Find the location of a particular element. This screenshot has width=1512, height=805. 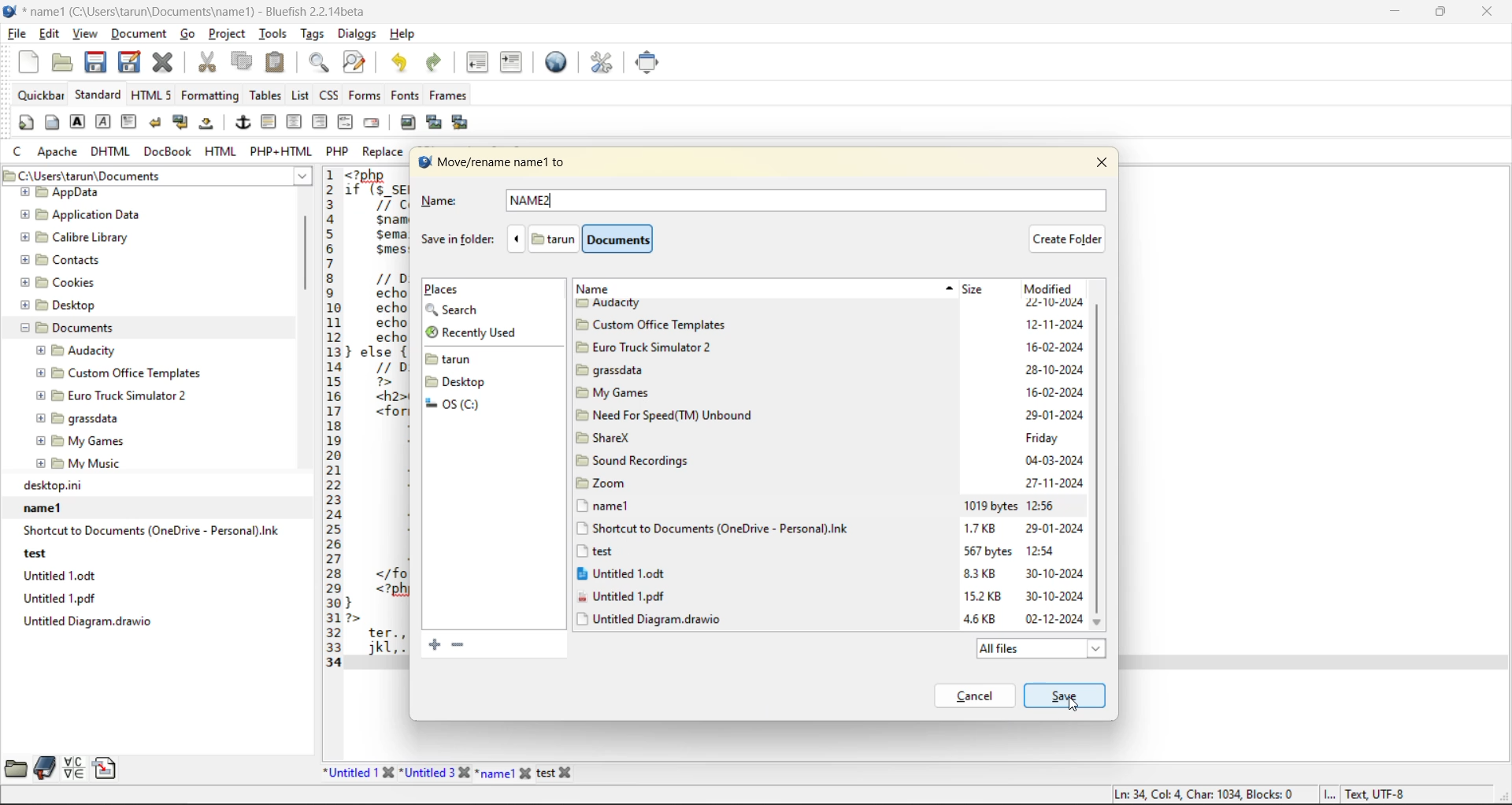

file path is located at coordinates (154, 176).